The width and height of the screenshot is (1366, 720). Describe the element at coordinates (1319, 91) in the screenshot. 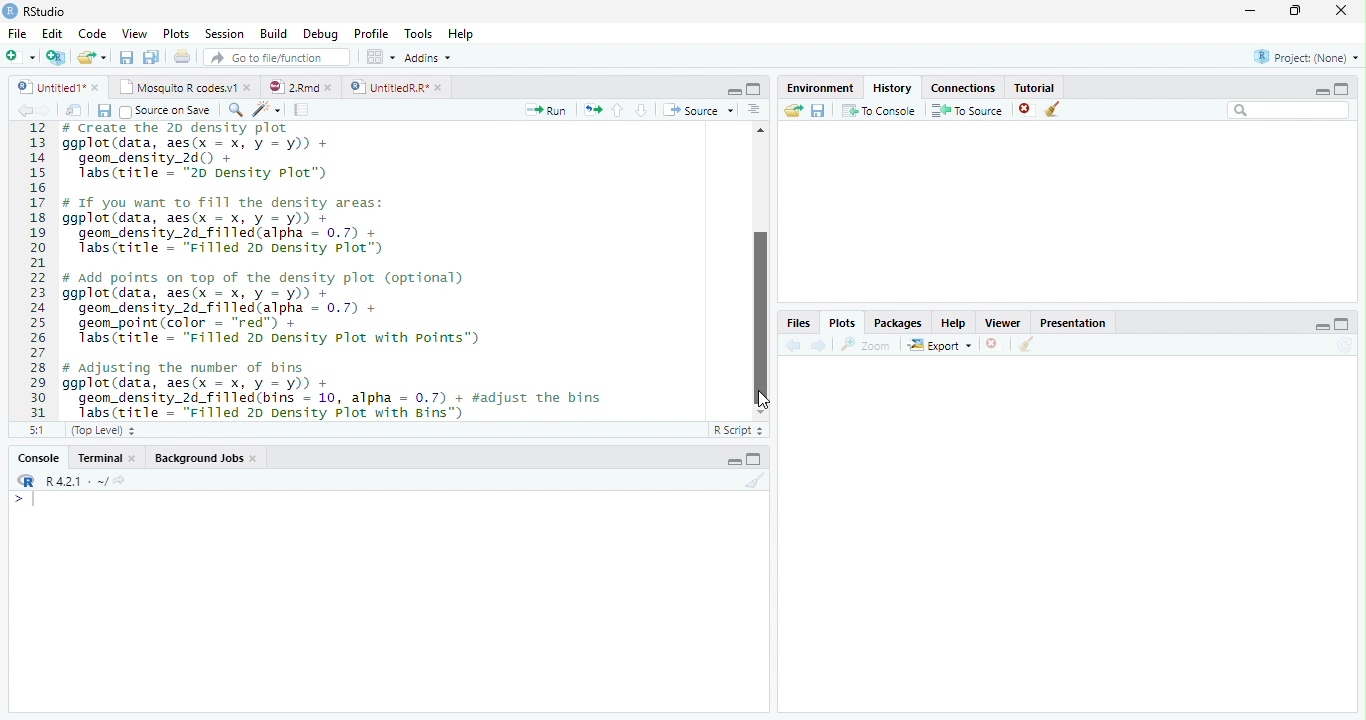

I see `minimize` at that location.